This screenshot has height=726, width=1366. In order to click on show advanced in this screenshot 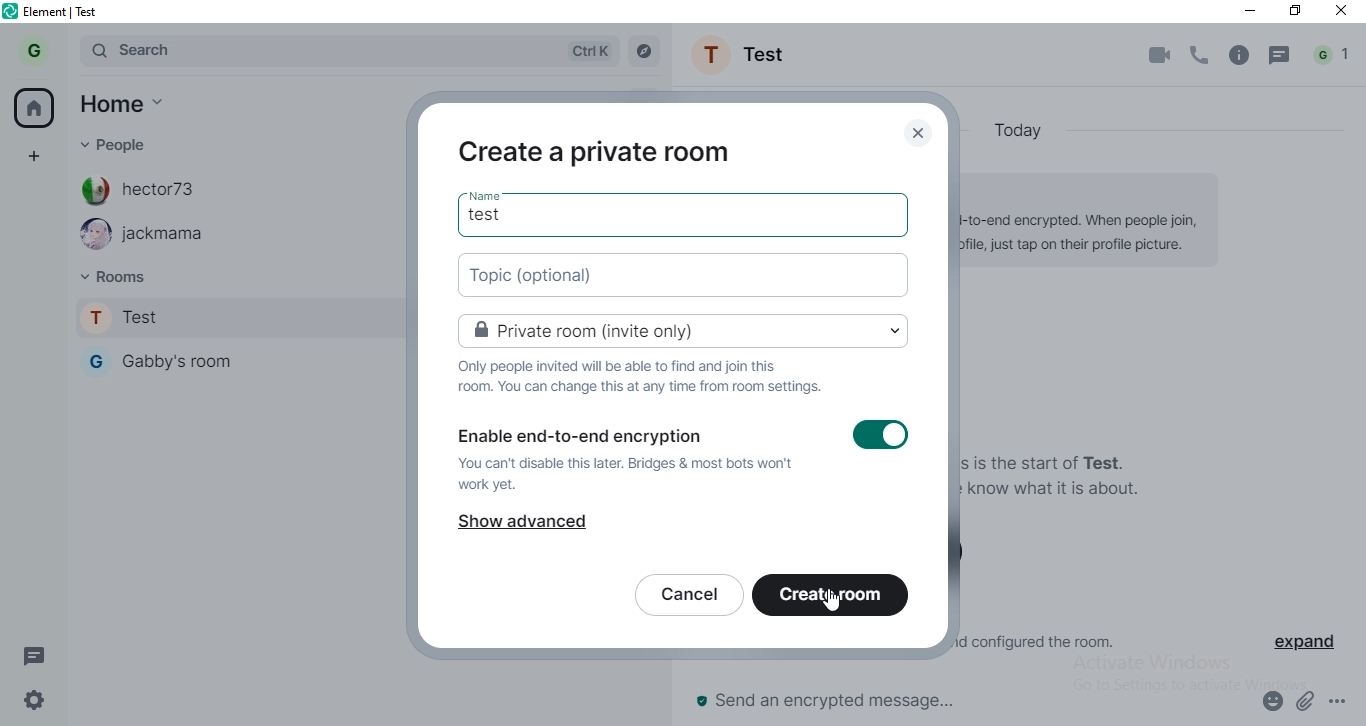, I will do `click(532, 527)`.